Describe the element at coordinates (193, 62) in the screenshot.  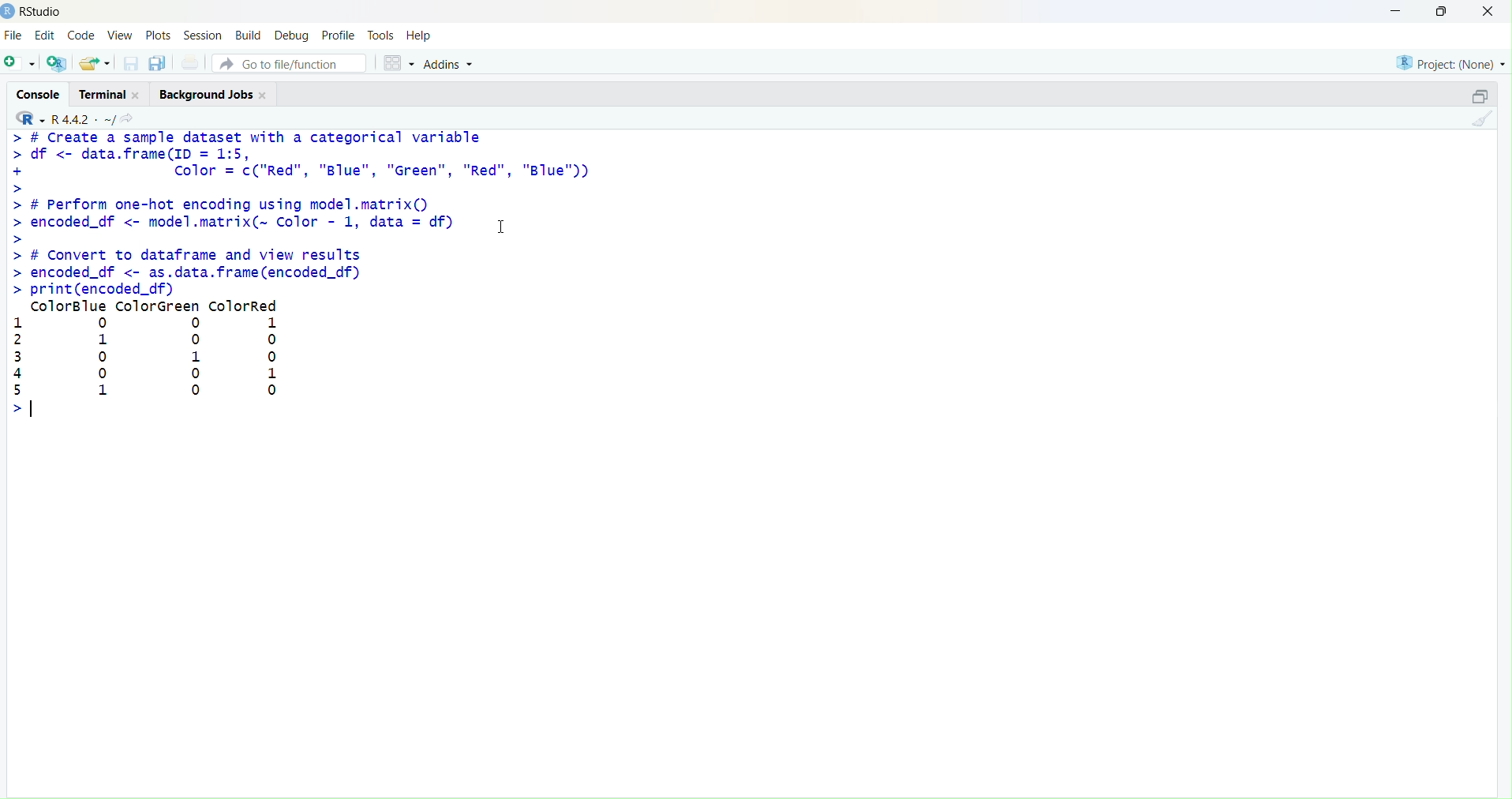
I see `print` at that location.